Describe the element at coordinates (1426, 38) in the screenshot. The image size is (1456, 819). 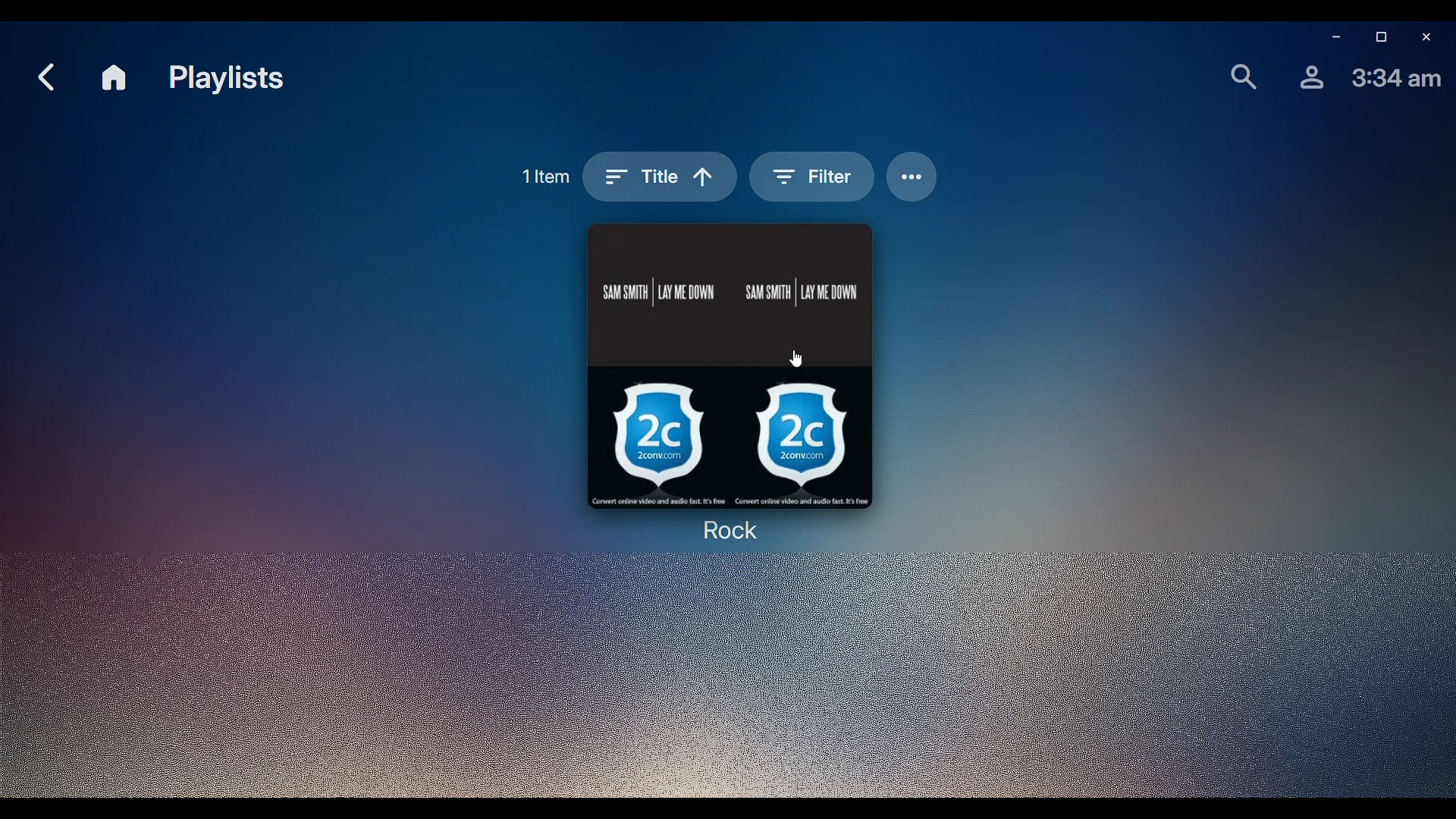
I see `Close` at that location.